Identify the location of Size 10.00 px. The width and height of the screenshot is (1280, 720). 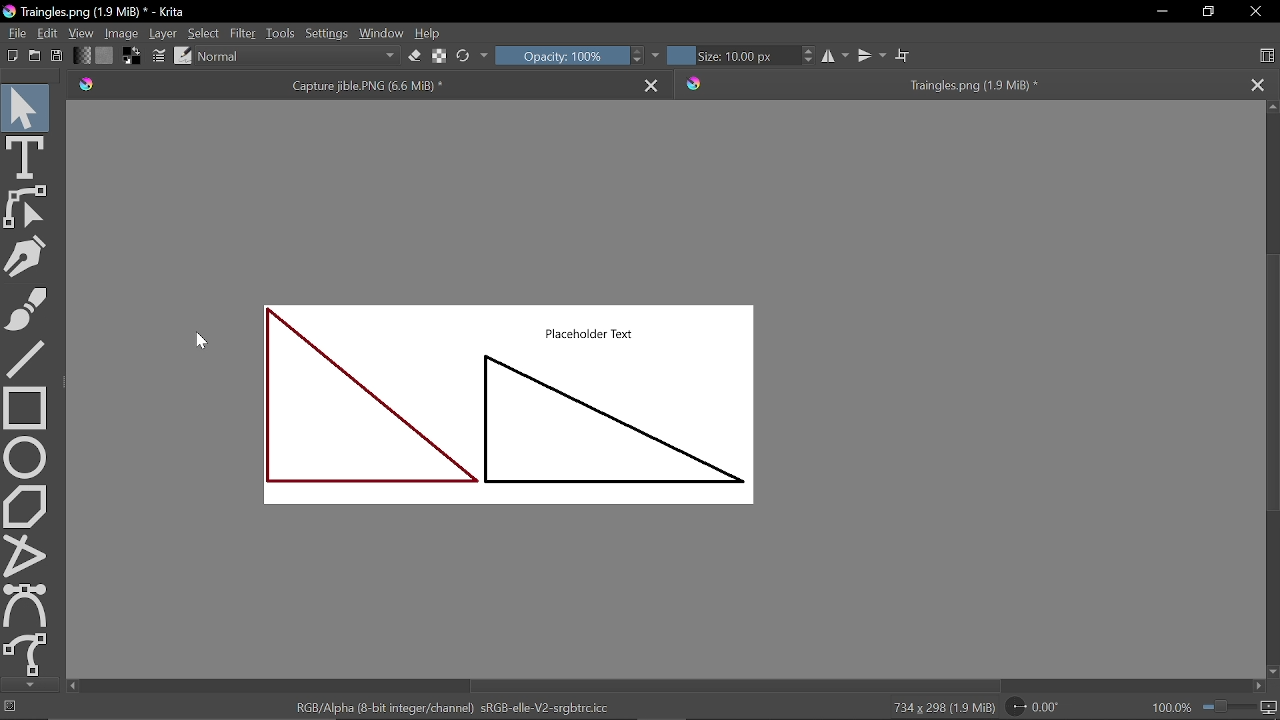
(731, 56).